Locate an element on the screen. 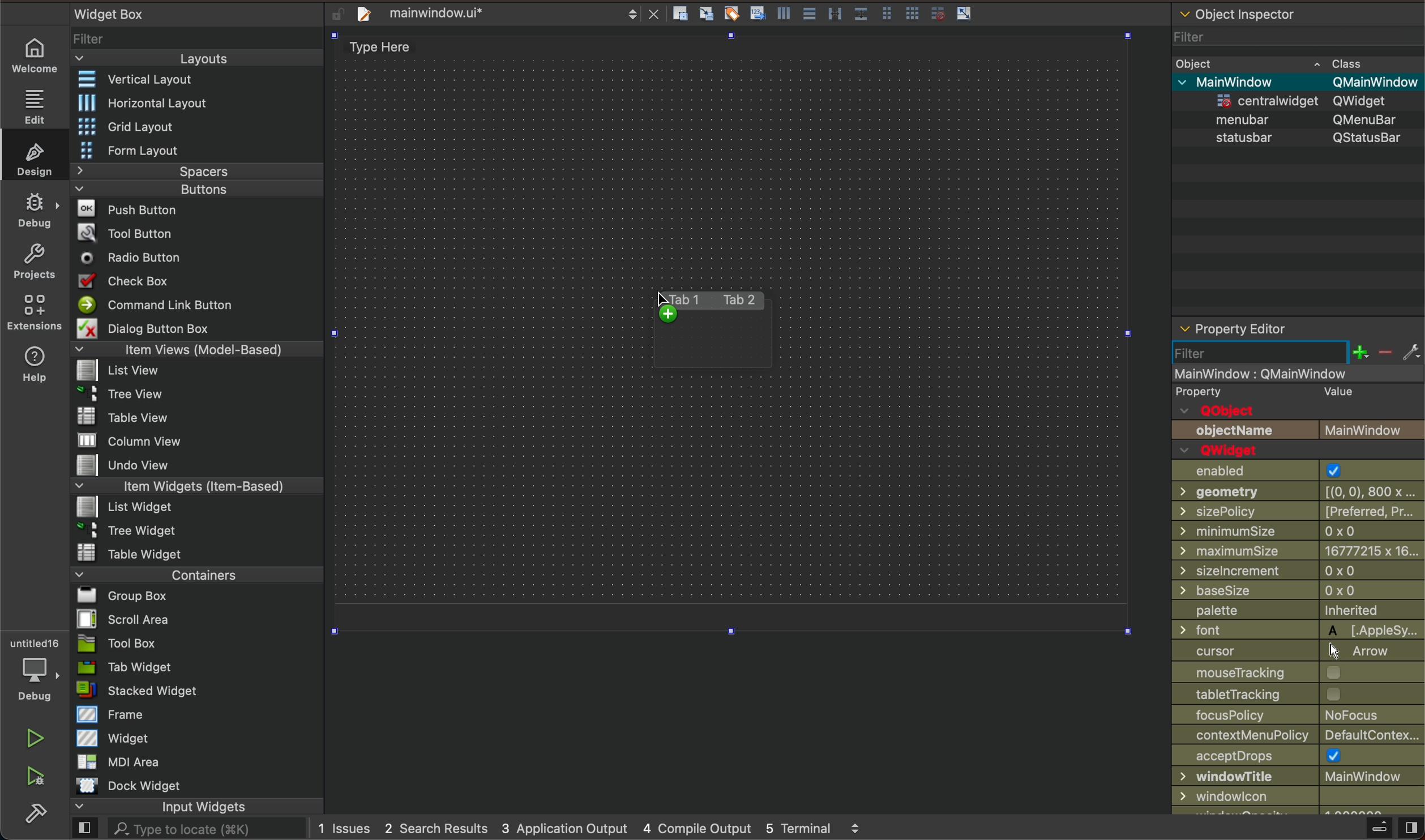 This screenshot has height=840, width=1425. font is located at coordinates (1296, 630).